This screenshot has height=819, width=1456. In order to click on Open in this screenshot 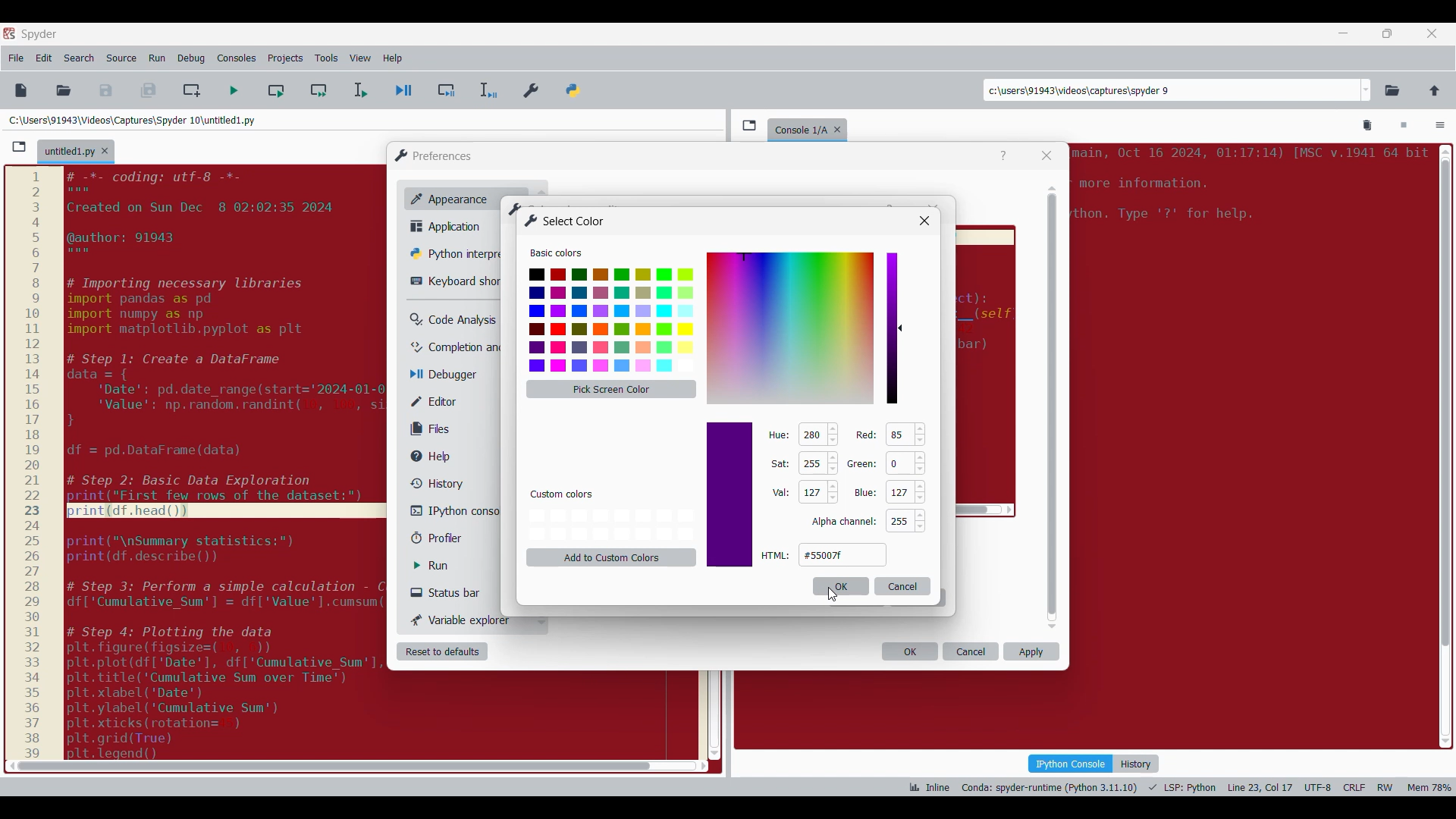, I will do `click(64, 90)`.